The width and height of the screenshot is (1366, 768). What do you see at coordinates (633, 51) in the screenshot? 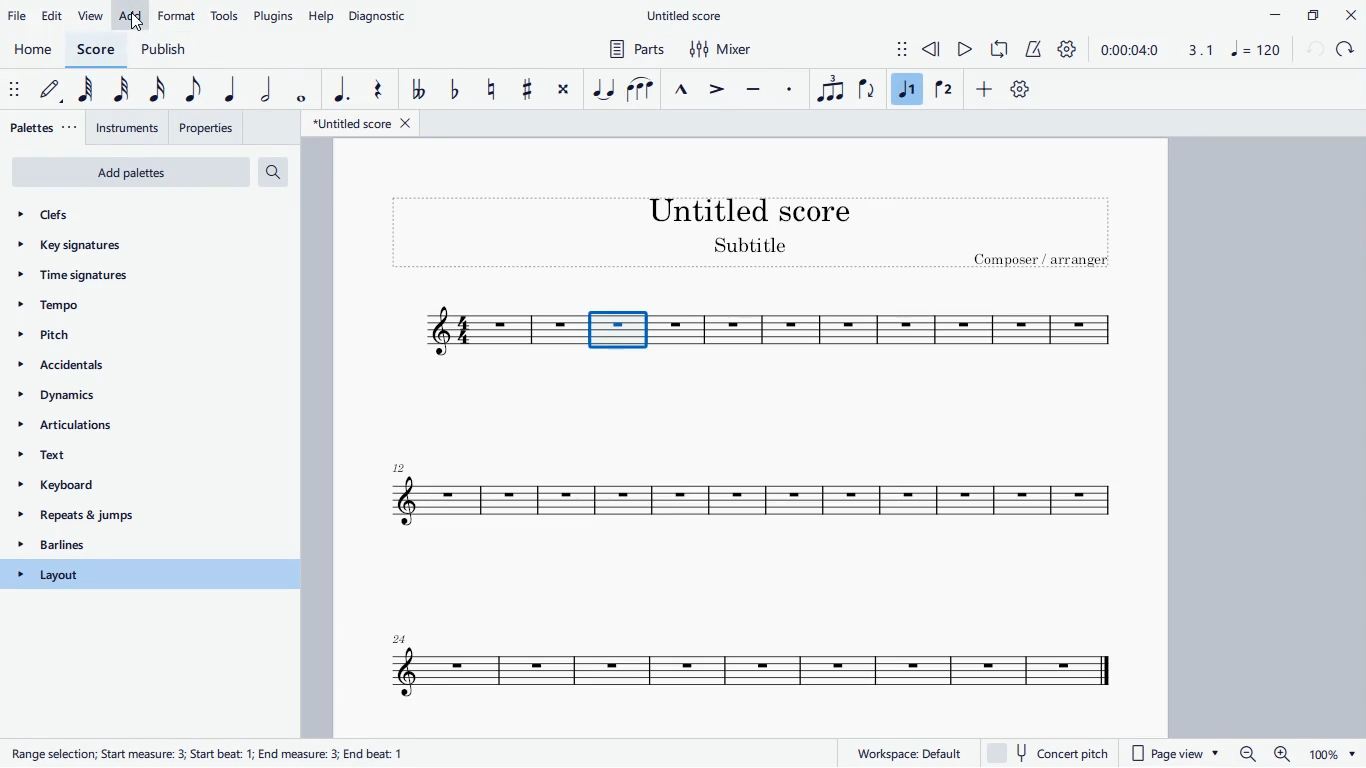
I see `parts` at bounding box center [633, 51].